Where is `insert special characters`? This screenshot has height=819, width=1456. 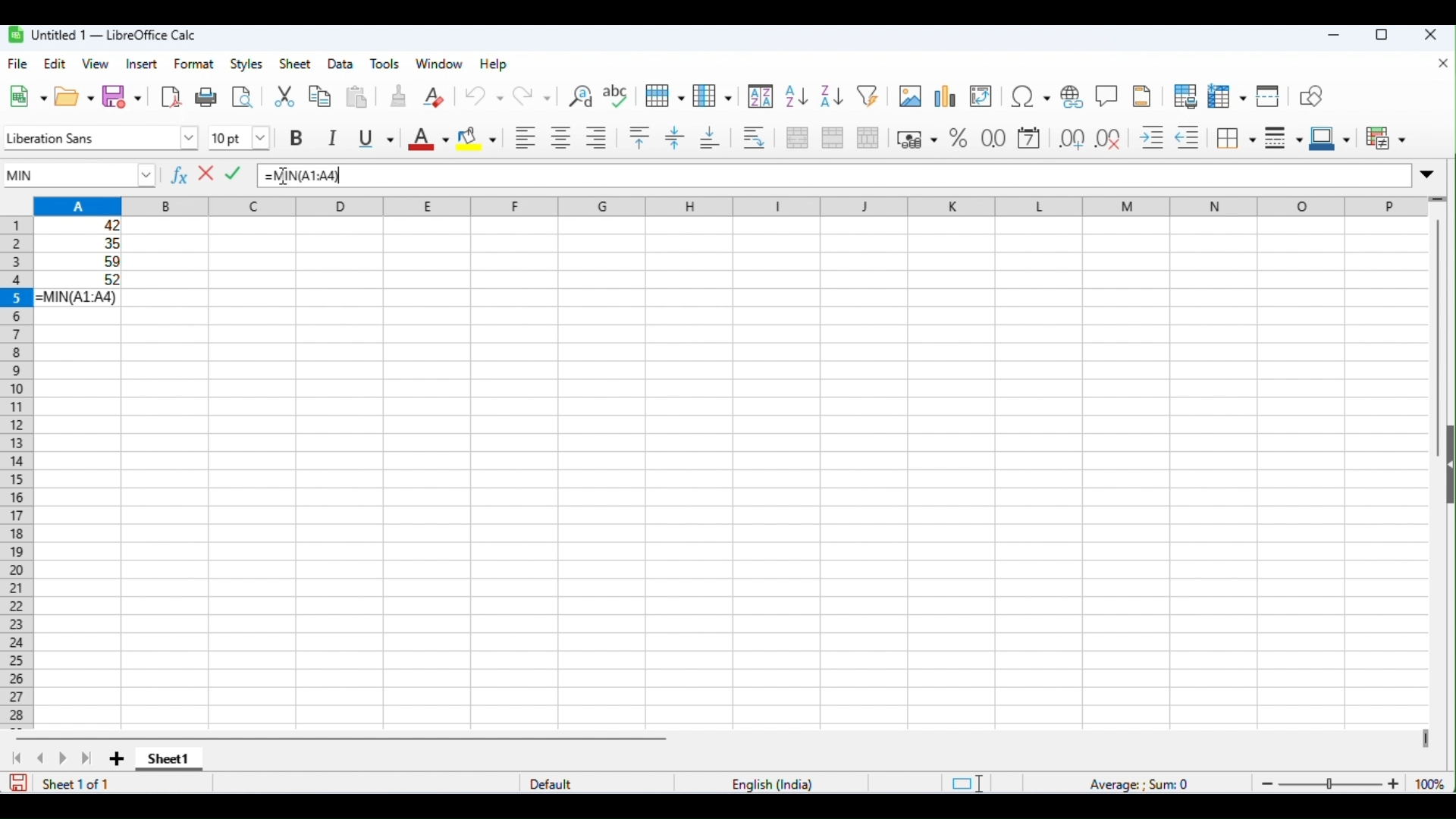
insert special characters is located at coordinates (1030, 96).